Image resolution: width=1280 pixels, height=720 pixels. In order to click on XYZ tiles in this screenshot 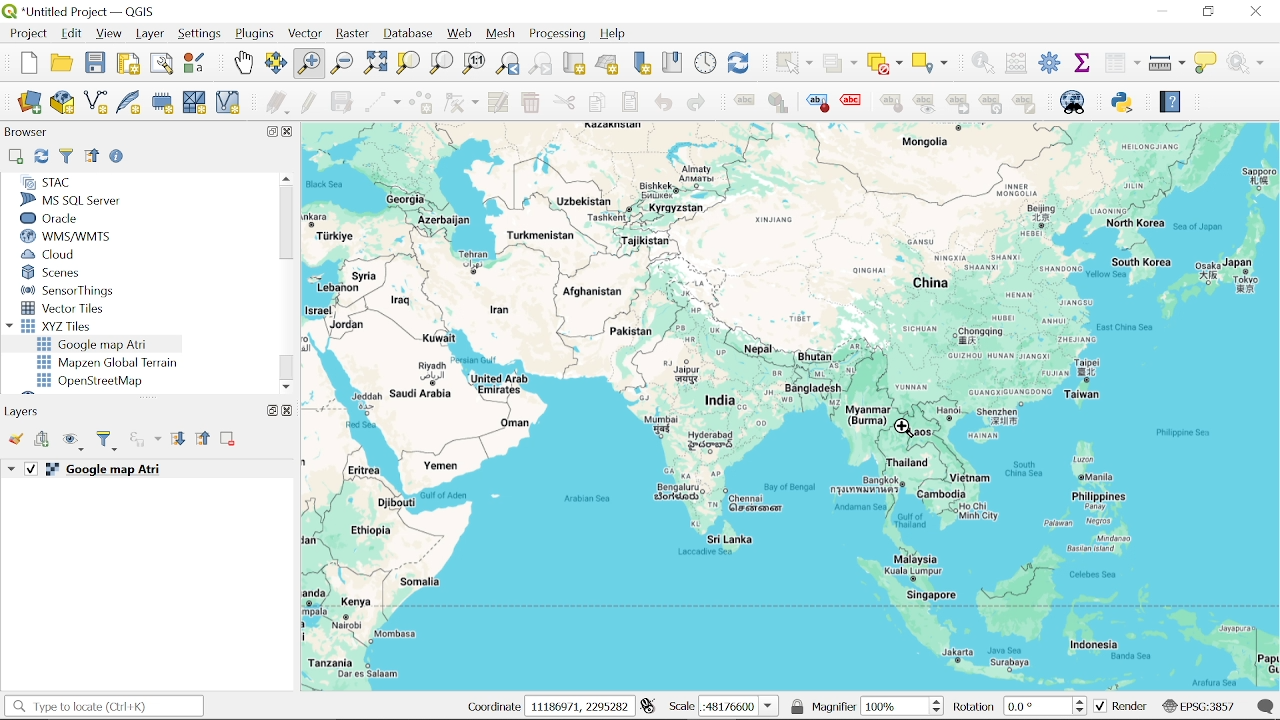, I will do `click(62, 326)`.